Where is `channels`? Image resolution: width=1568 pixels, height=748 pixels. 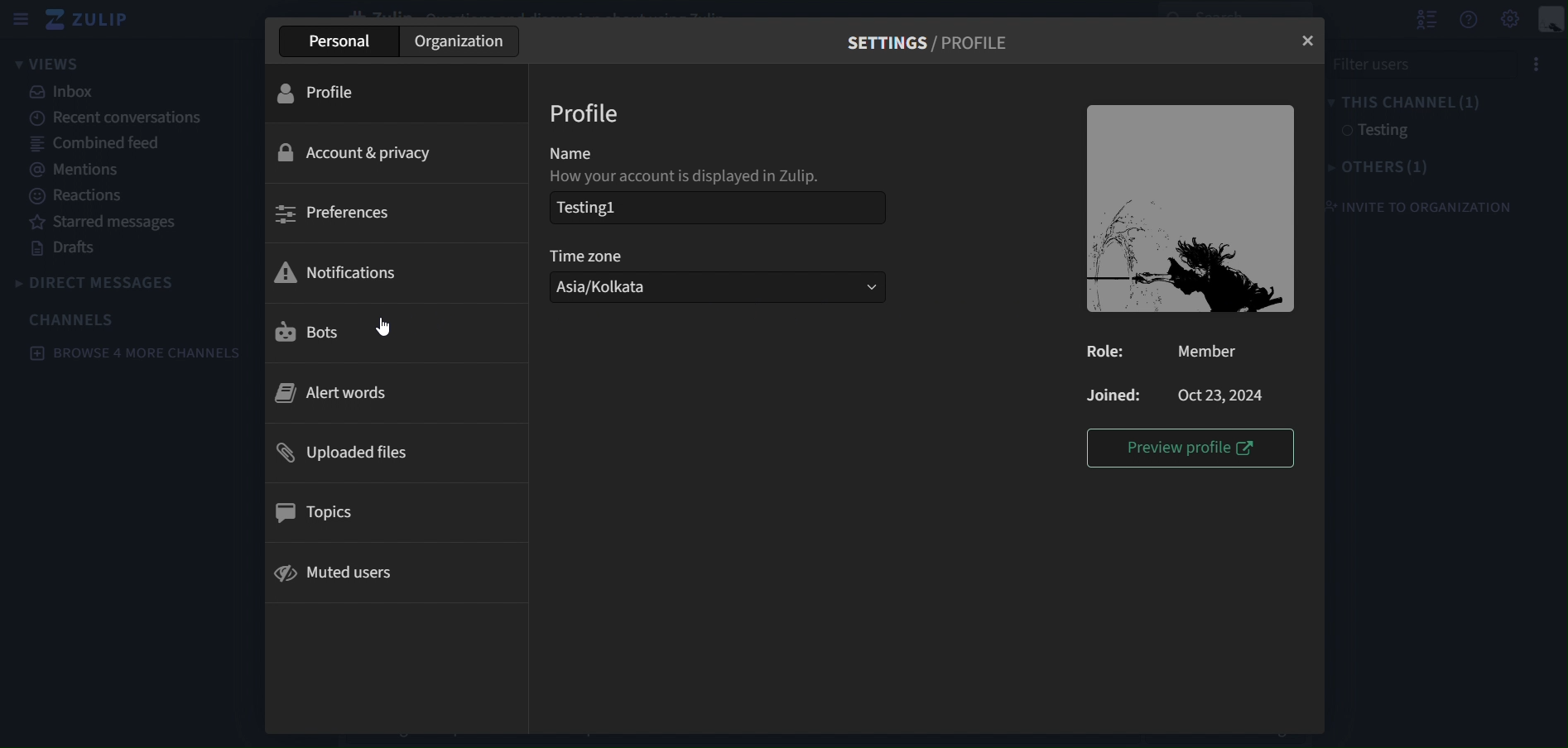 channels is located at coordinates (73, 319).